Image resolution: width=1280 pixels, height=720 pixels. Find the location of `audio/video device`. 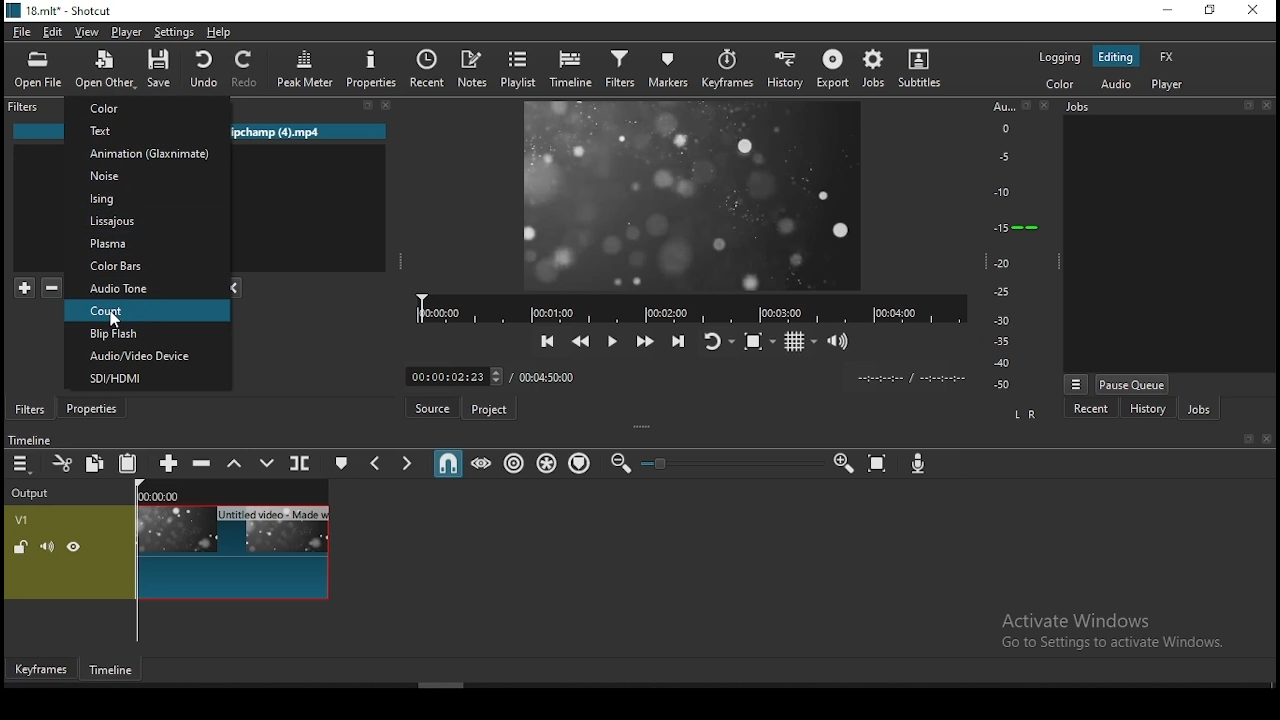

audio/video device is located at coordinates (148, 357).